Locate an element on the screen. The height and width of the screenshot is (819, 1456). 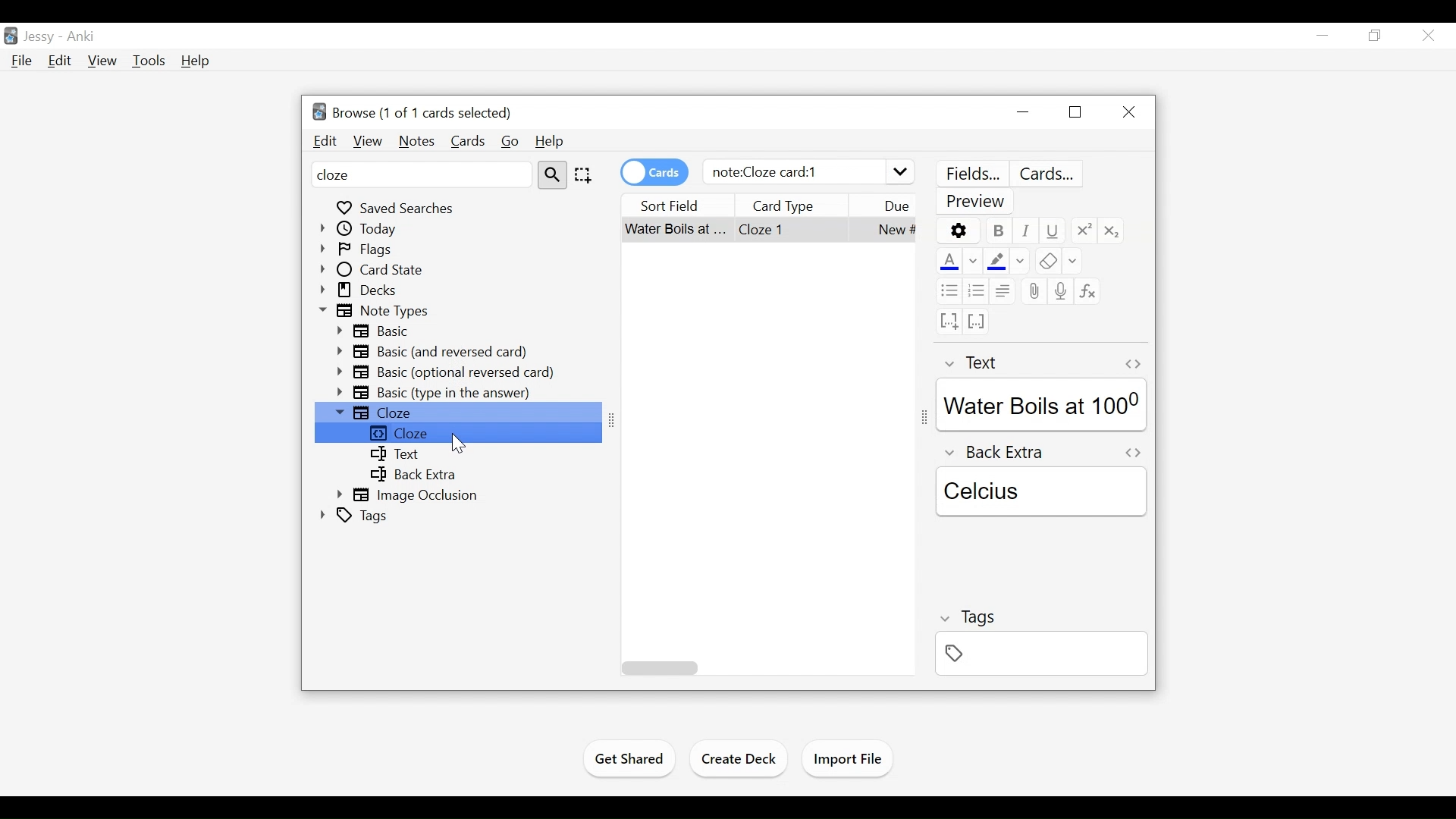
Back Extra Field is located at coordinates (1040, 491).